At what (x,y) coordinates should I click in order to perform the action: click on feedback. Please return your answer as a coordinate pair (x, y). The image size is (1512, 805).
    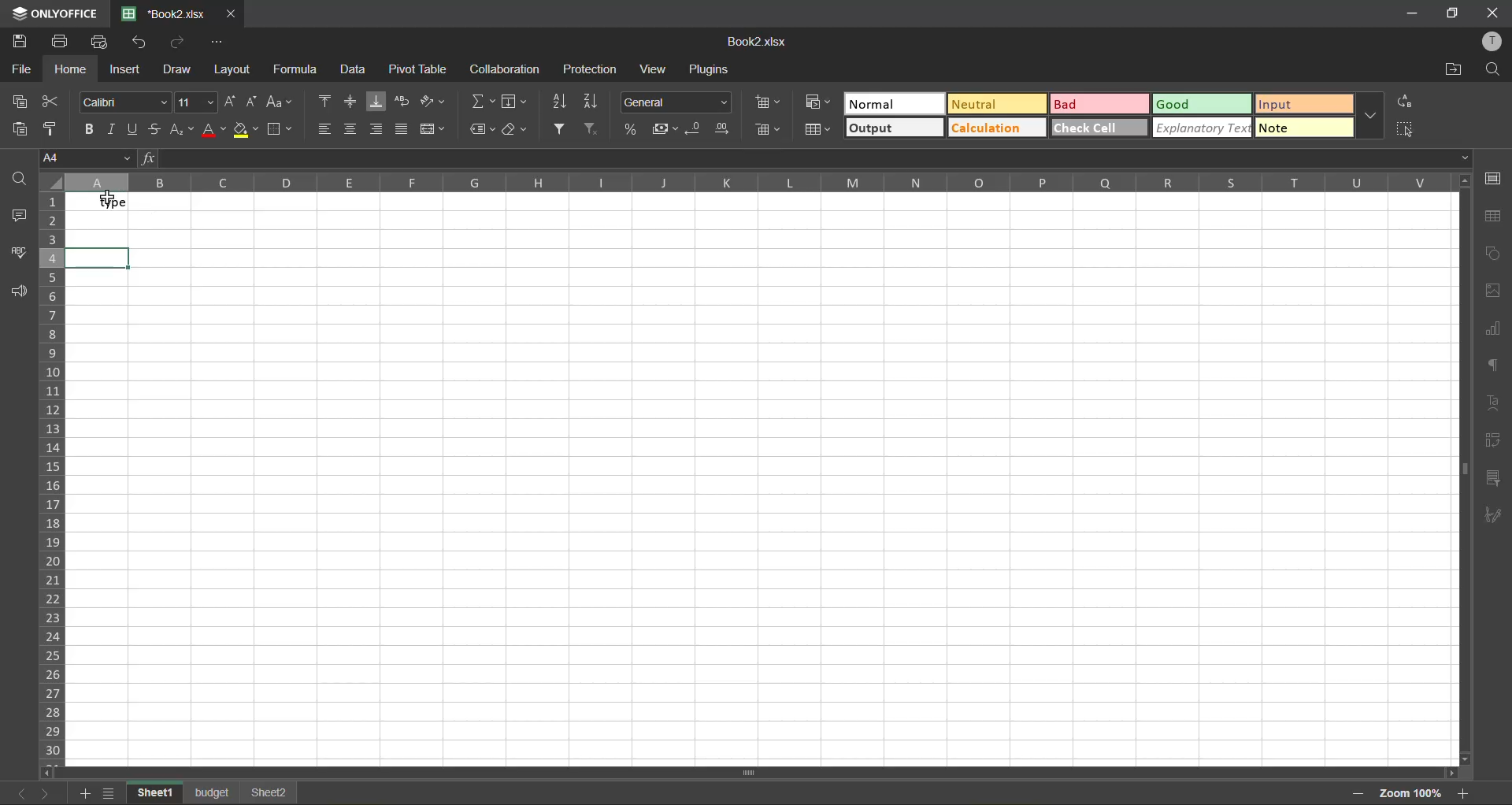
    Looking at the image, I should click on (20, 293).